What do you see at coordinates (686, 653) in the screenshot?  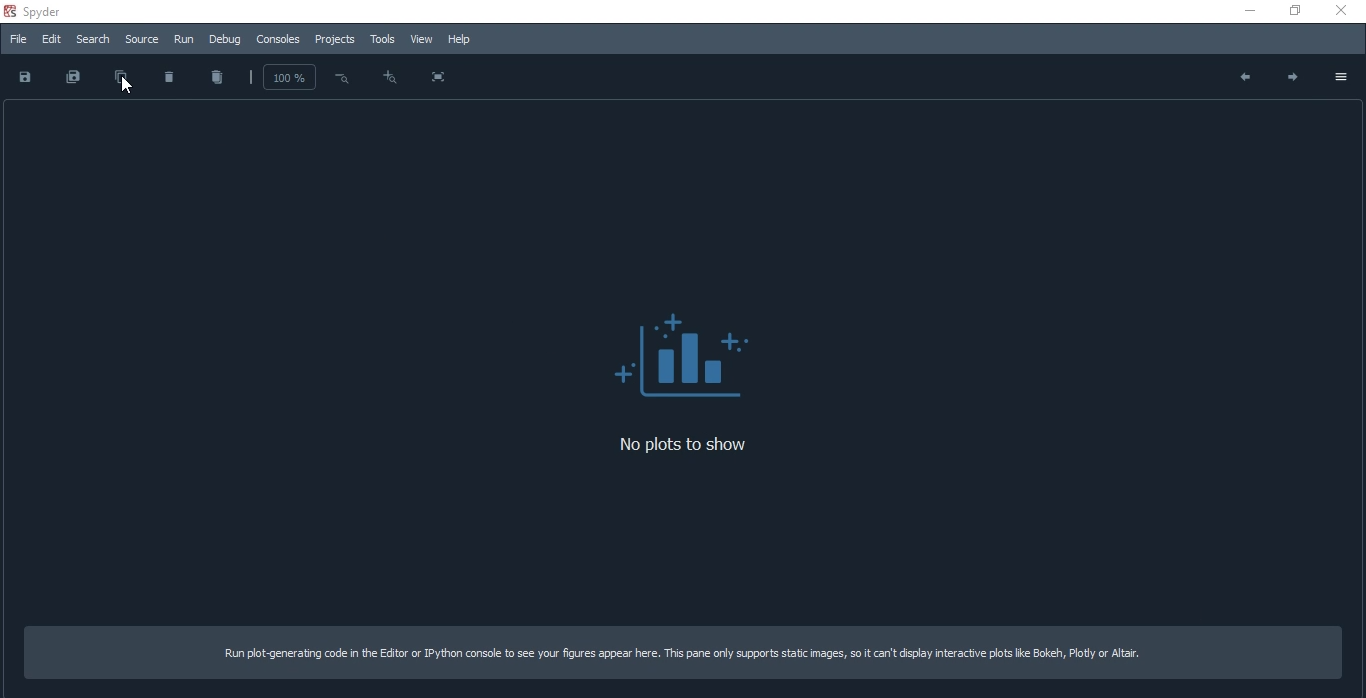 I see `run plot generating code in the Editor or IPythone console to see your figures appear here. This pane only supports static images, so it can't display interactive plots like Bokeh, Plotly or Altair` at bounding box center [686, 653].